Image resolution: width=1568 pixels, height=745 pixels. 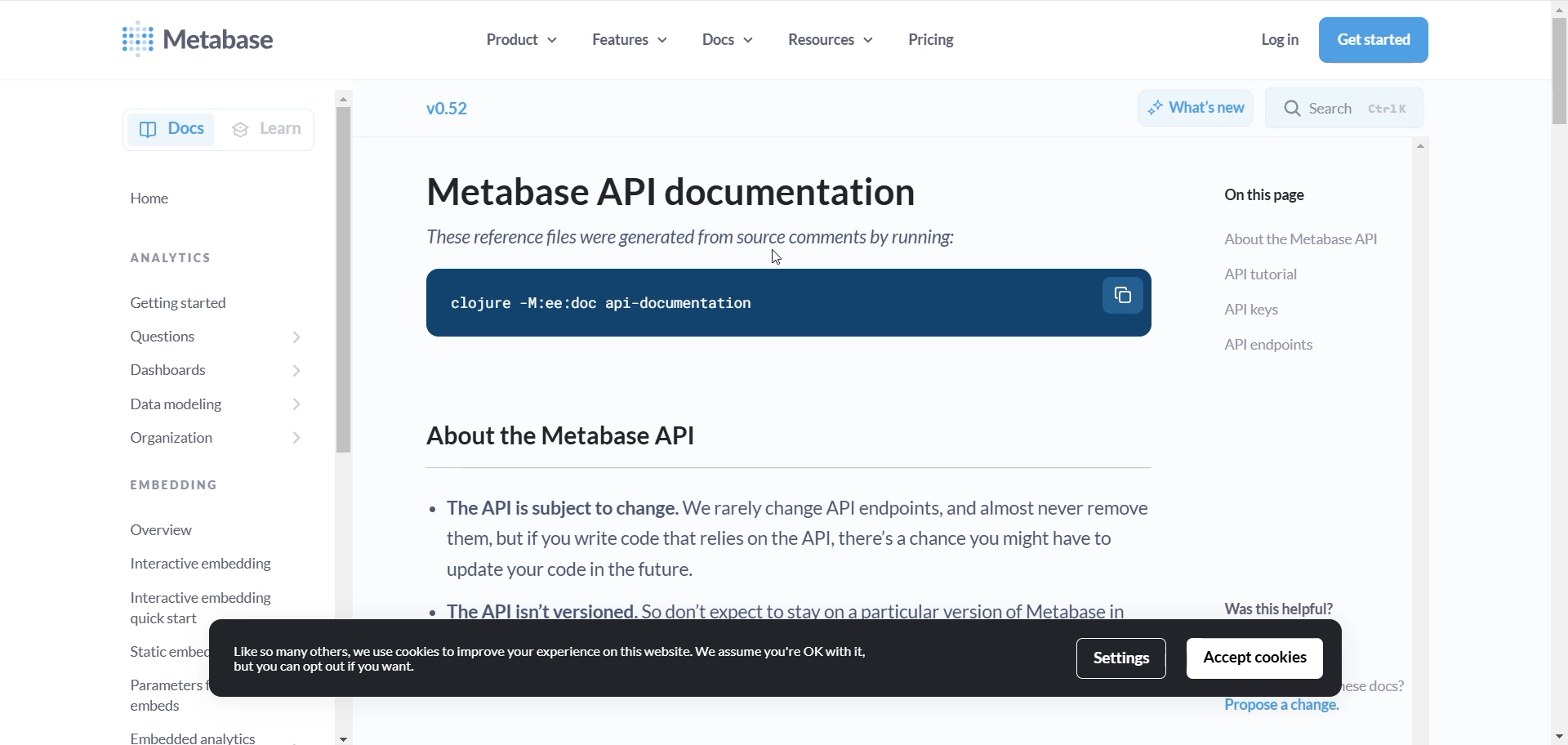 I want to click on scrollbar, so click(x=341, y=286).